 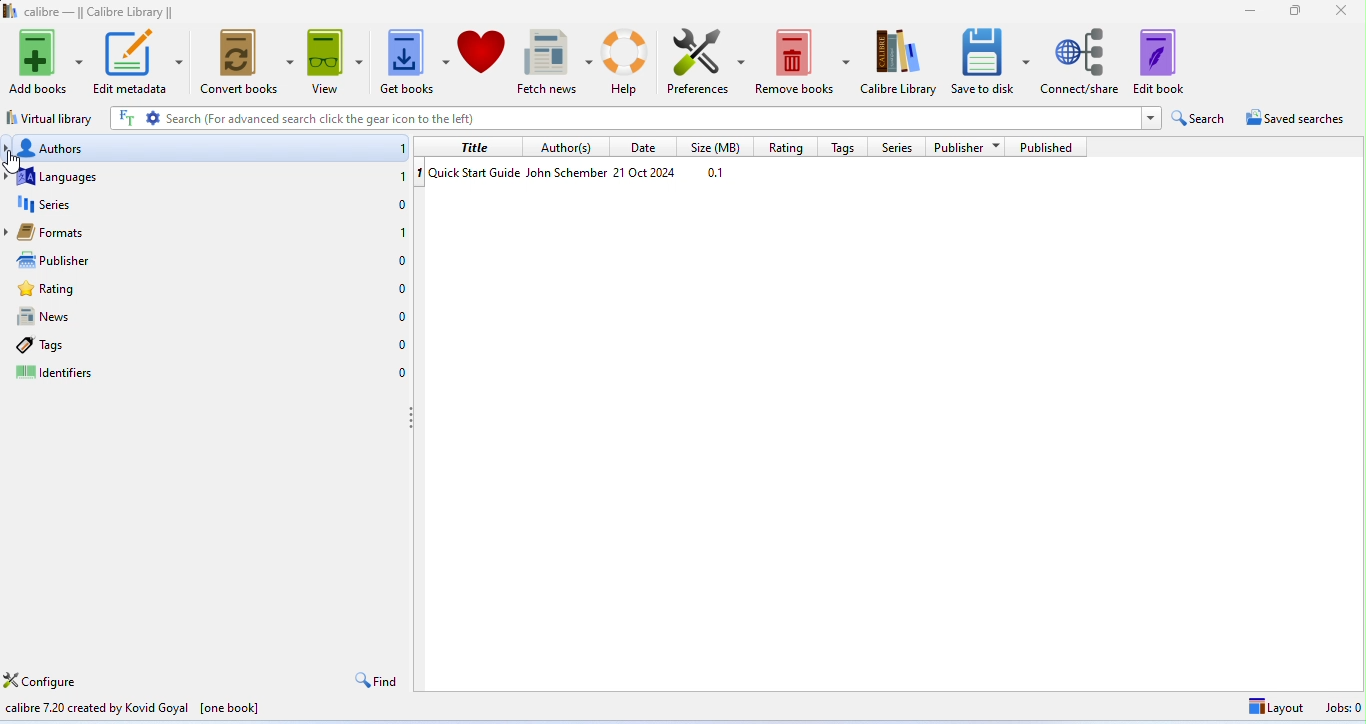 What do you see at coordinates (336, 61) in the screenshot?
I see `view` at bounding box center [336, 61].